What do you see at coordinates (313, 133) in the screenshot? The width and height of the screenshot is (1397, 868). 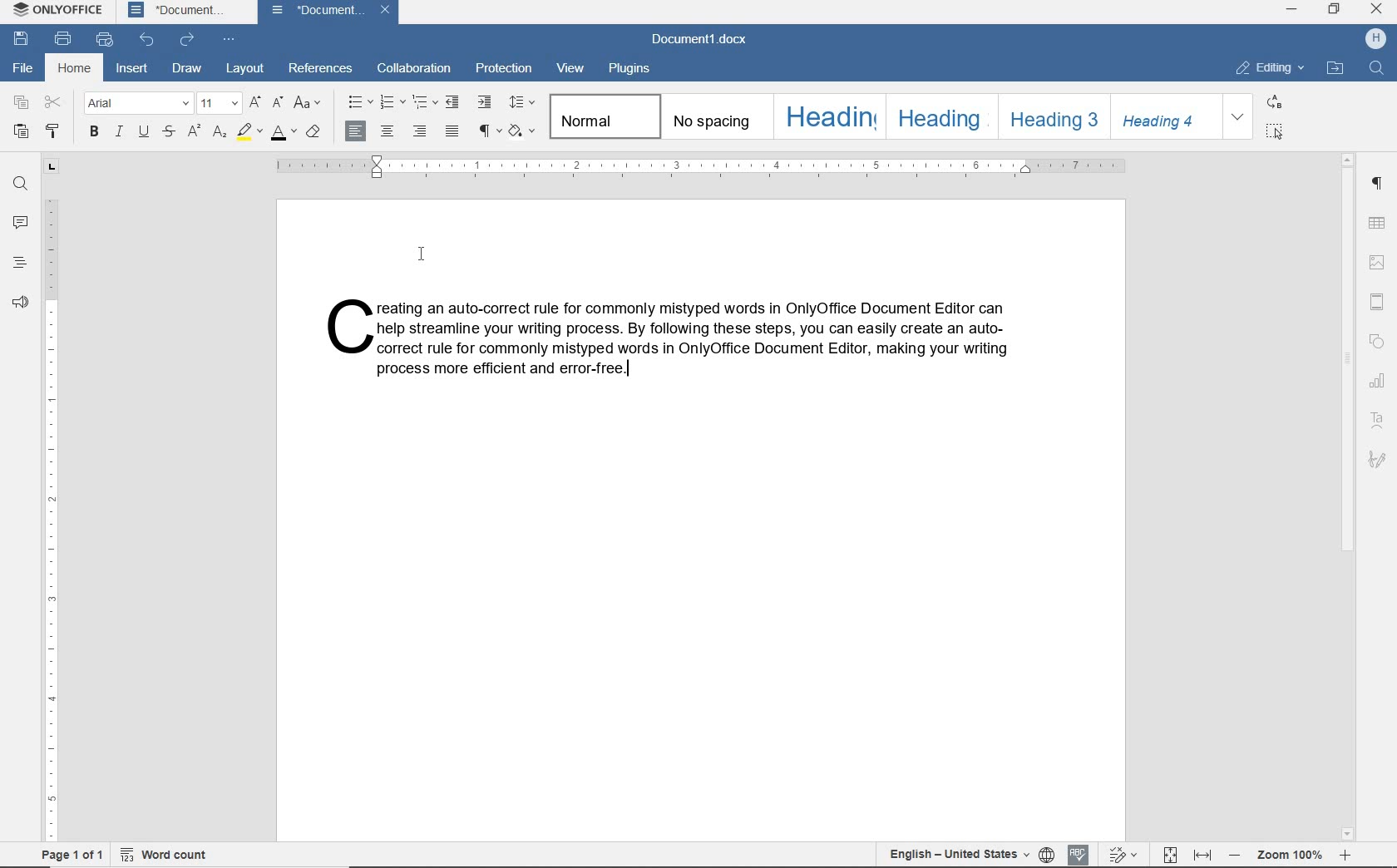 I see `CLEAR STYLE` at bounding box center [313, 133].